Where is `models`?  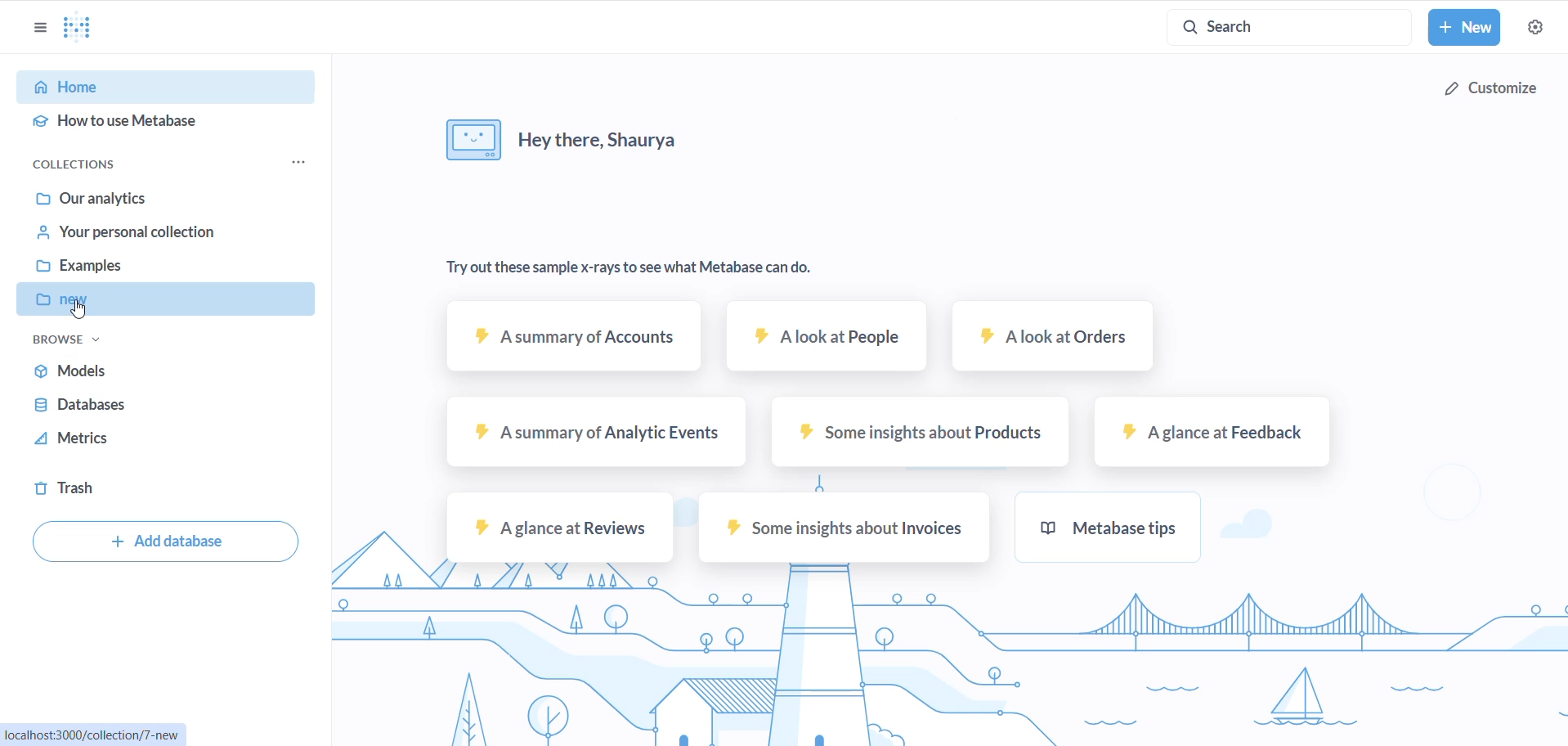 models is located at coordinates (135, 370).